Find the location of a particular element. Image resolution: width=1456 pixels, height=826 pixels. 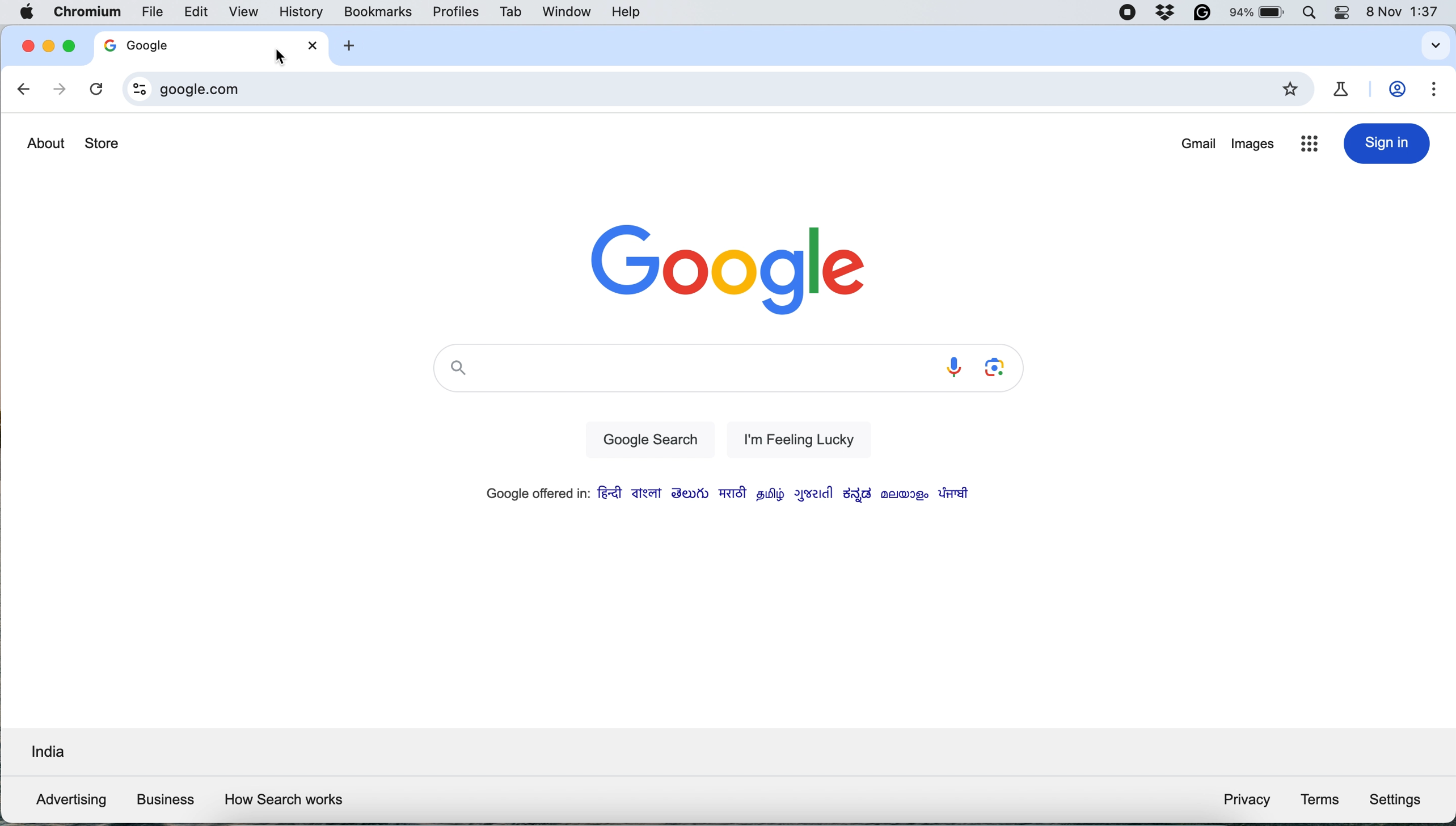

speech to text  is located at coordinates (952, 367).